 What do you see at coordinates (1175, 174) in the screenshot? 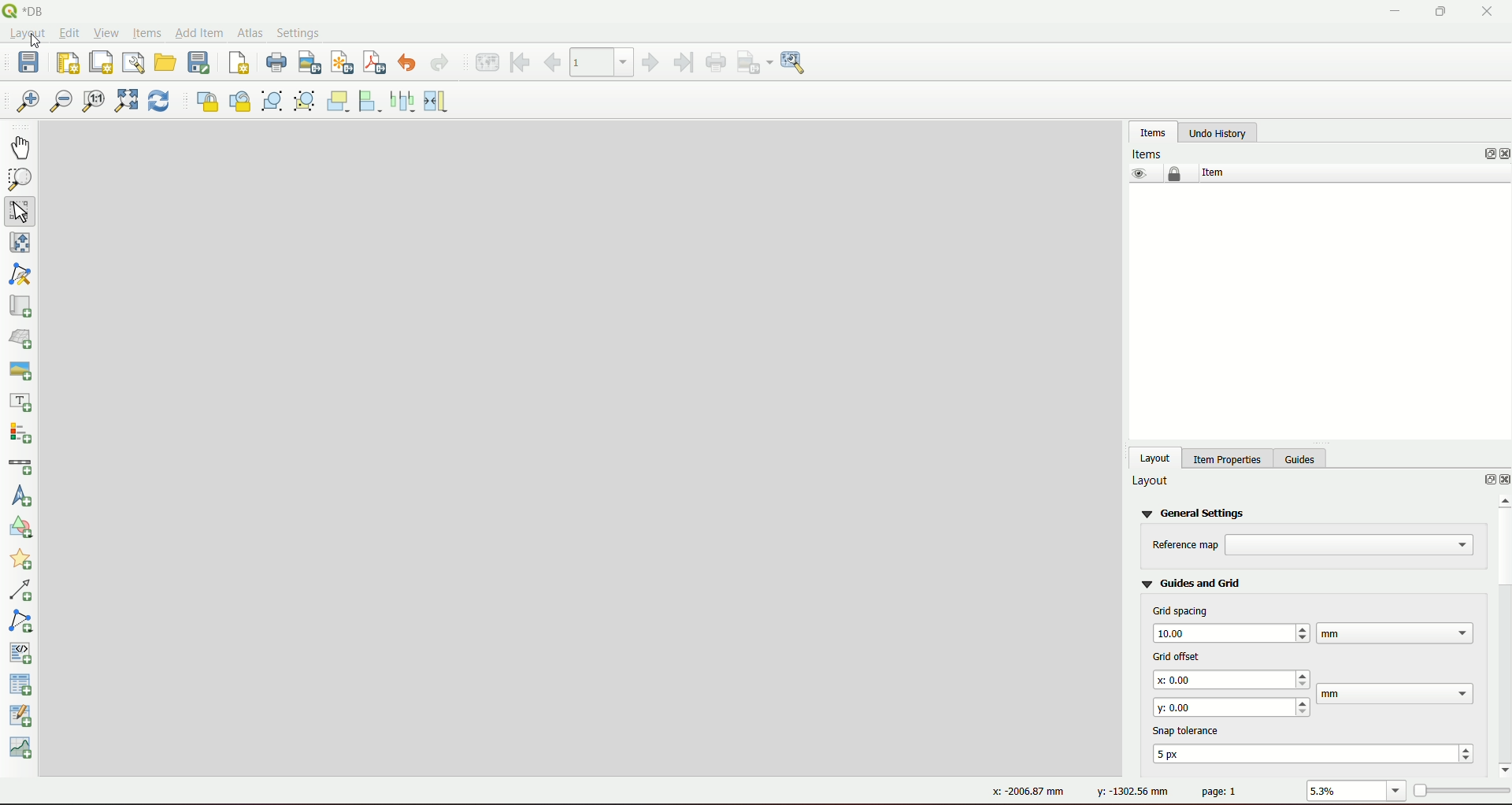
I see `lock` at bounding box center [1175, 174].